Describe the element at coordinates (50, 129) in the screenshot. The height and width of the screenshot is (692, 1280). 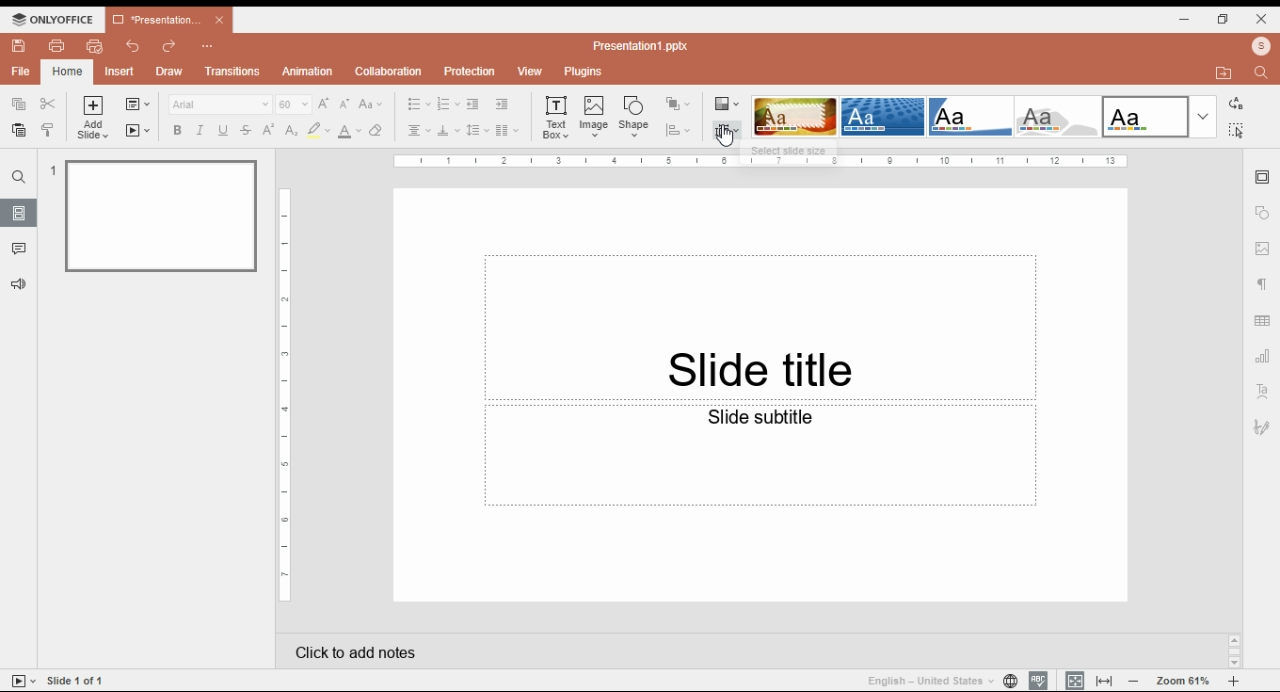
I see `copy style` at that location.